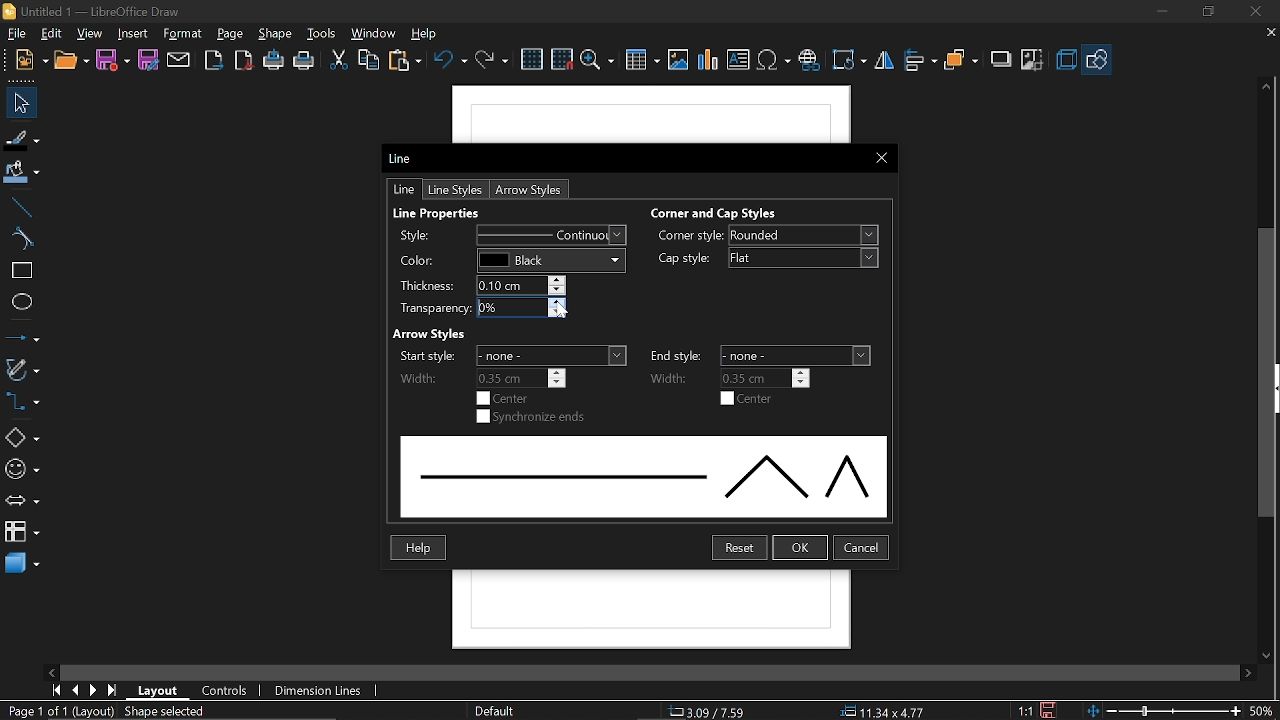  I want to click on paste, so click(406, 61).